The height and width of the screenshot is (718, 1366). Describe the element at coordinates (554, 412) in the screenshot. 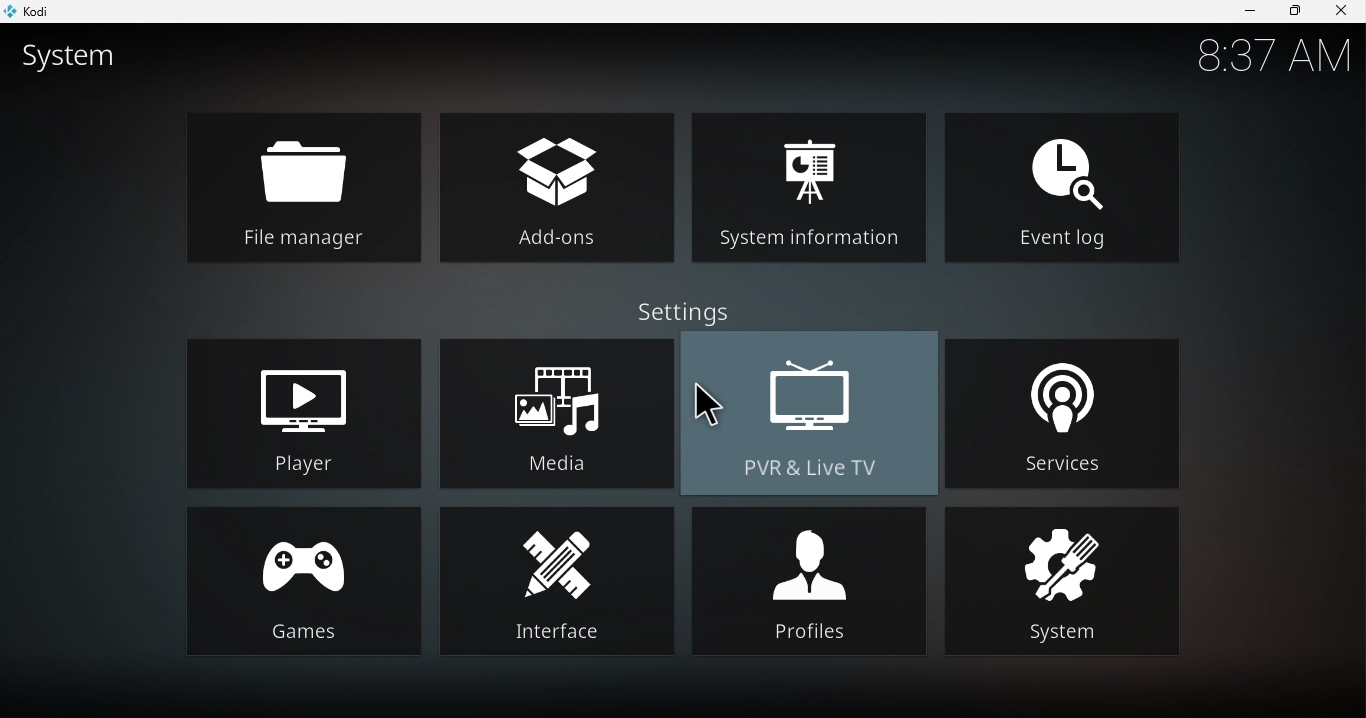

I see `Media` at that location.